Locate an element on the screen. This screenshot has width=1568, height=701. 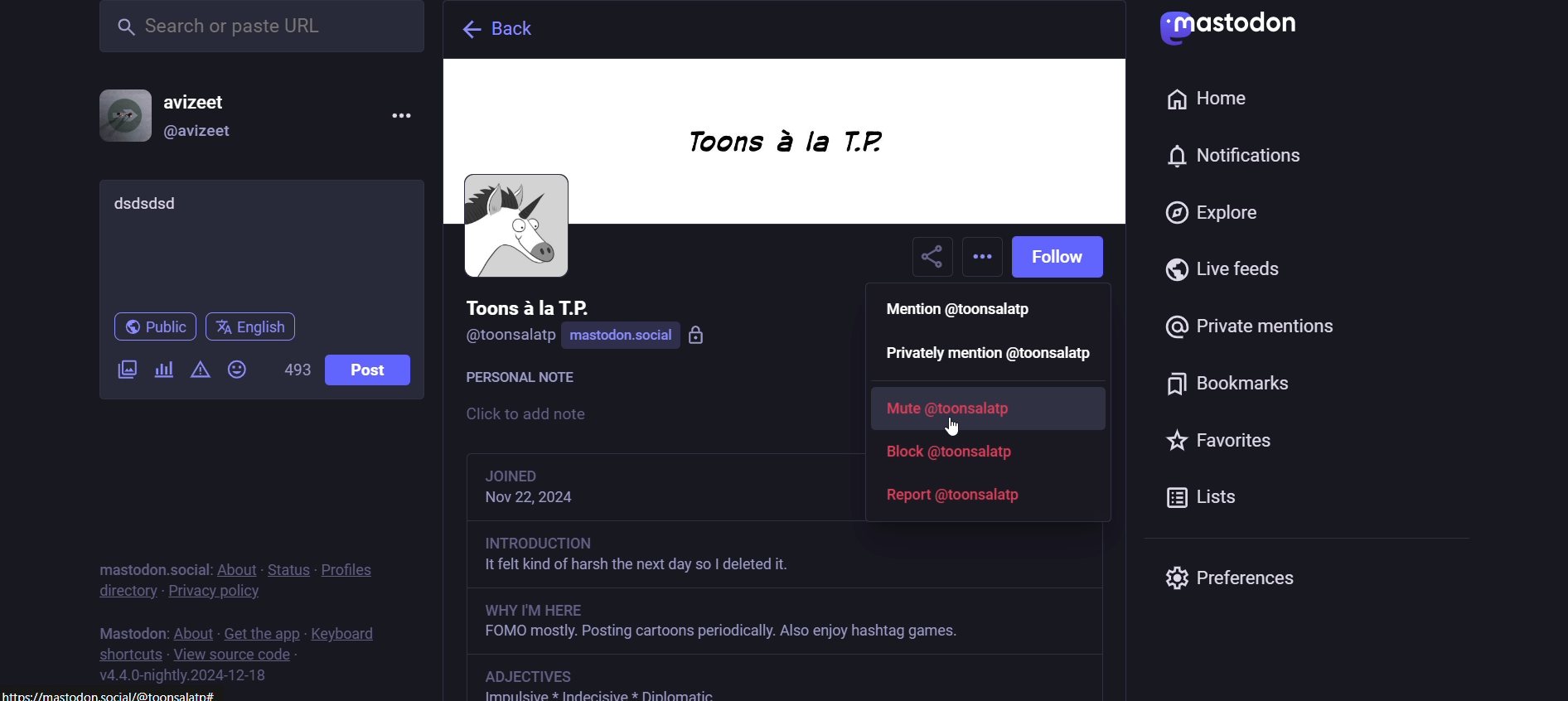
profile picture is located at coordinates (515, 227).